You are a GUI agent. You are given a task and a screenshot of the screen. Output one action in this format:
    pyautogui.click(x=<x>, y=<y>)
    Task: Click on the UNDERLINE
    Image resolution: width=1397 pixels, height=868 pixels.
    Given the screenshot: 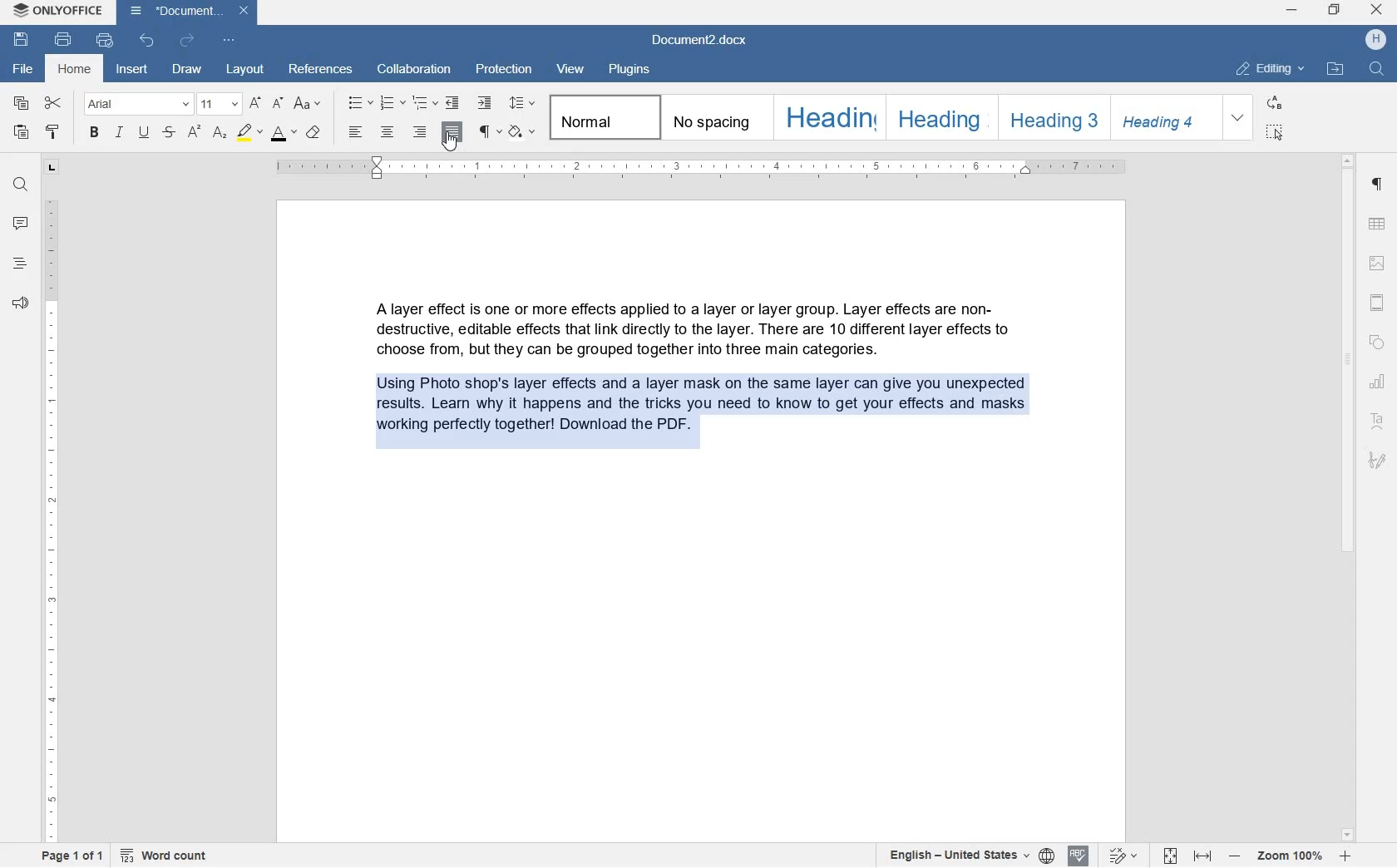 What is the action you would take?
    pyautogui.click(x=146, y=133)
    